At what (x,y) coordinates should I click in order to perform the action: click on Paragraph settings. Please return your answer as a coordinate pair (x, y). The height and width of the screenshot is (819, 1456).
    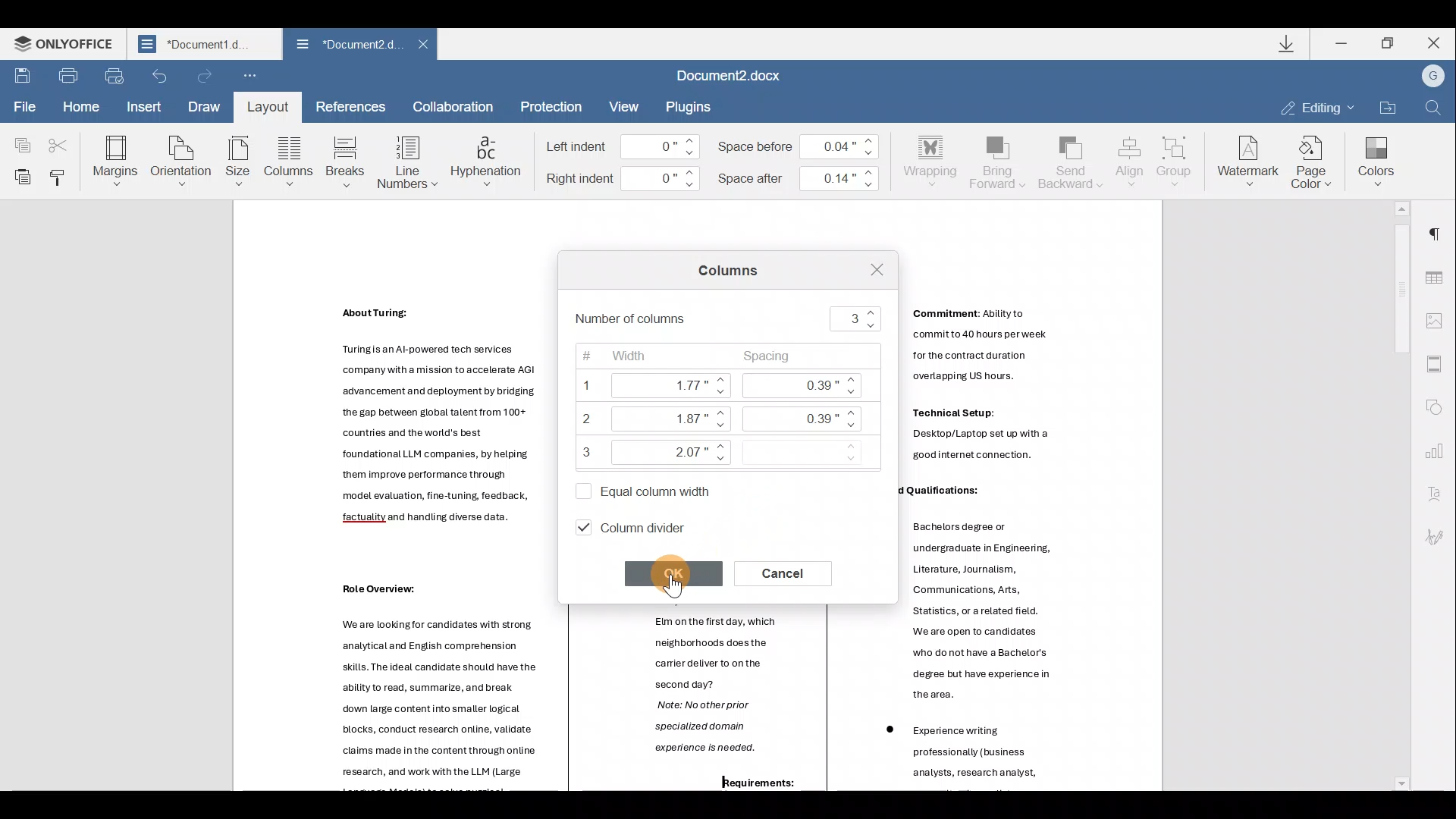
    Looking at the image, I should click on (1441, 228).